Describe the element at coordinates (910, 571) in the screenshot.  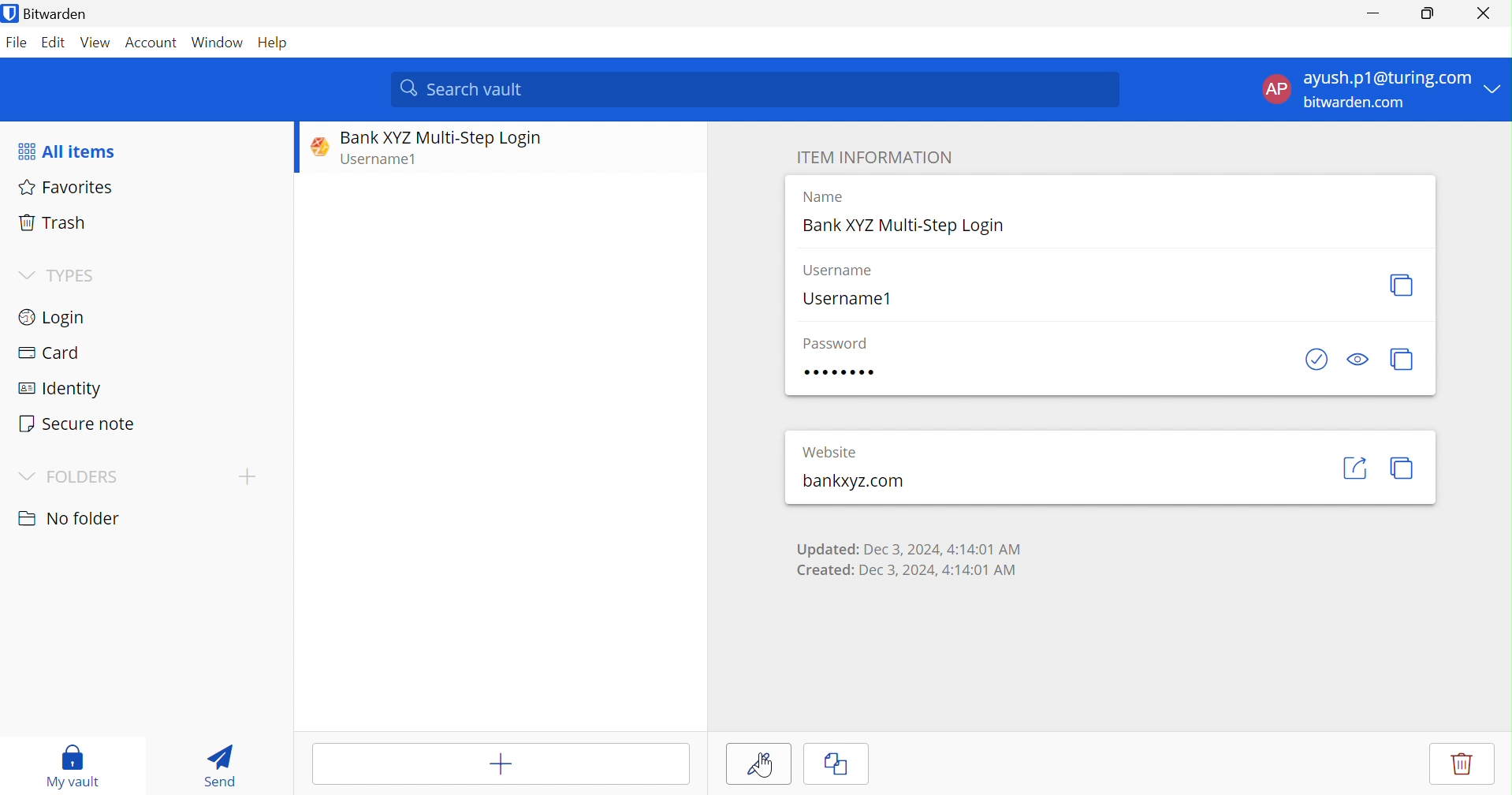
I see `Created: Dec 3, 2024, 4:14:01 AM` at that location.